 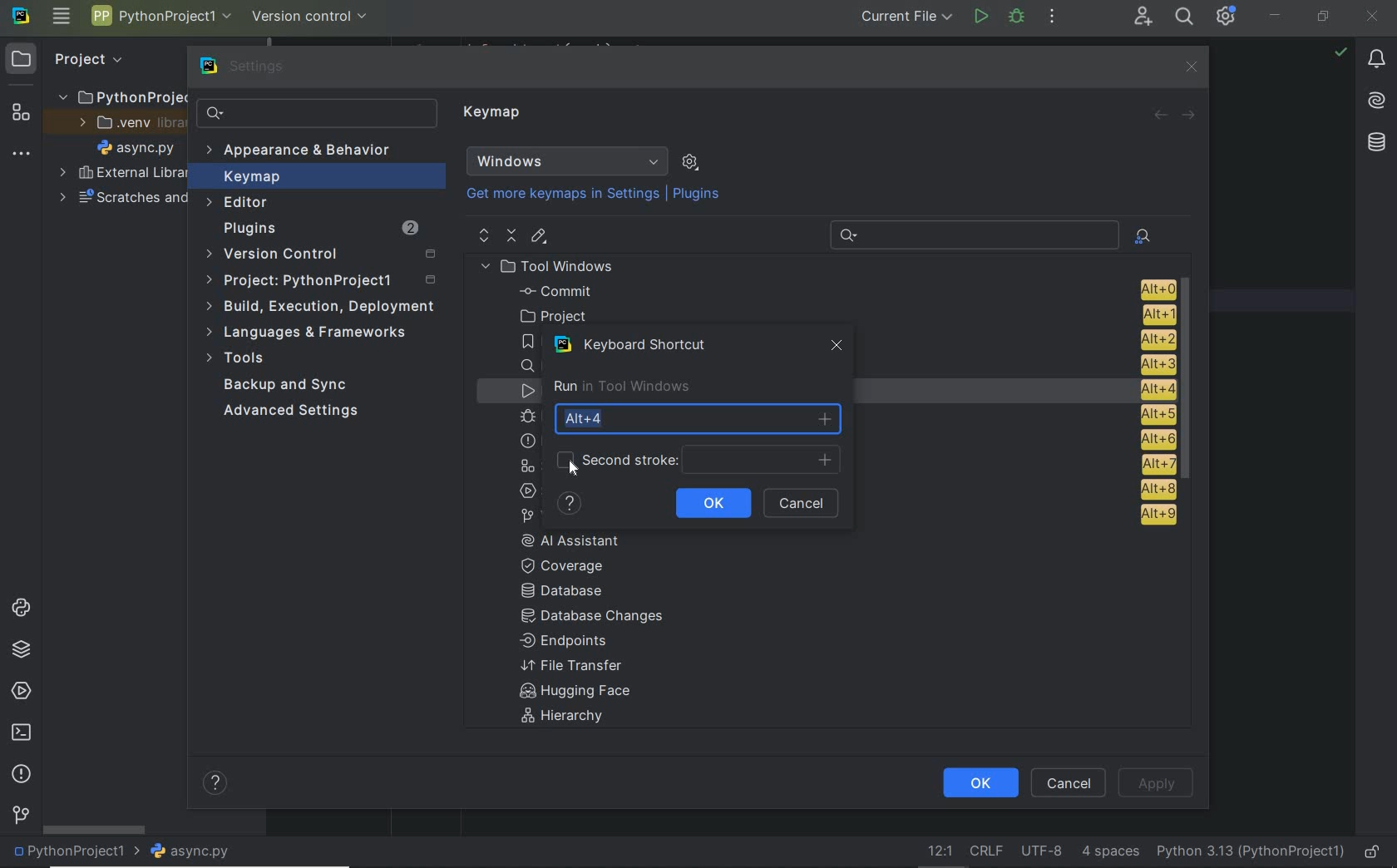 What do you see at coordinates (1156, 338) in the screenshot?
I see `alt + 2` at bounding box center [1156, 338].